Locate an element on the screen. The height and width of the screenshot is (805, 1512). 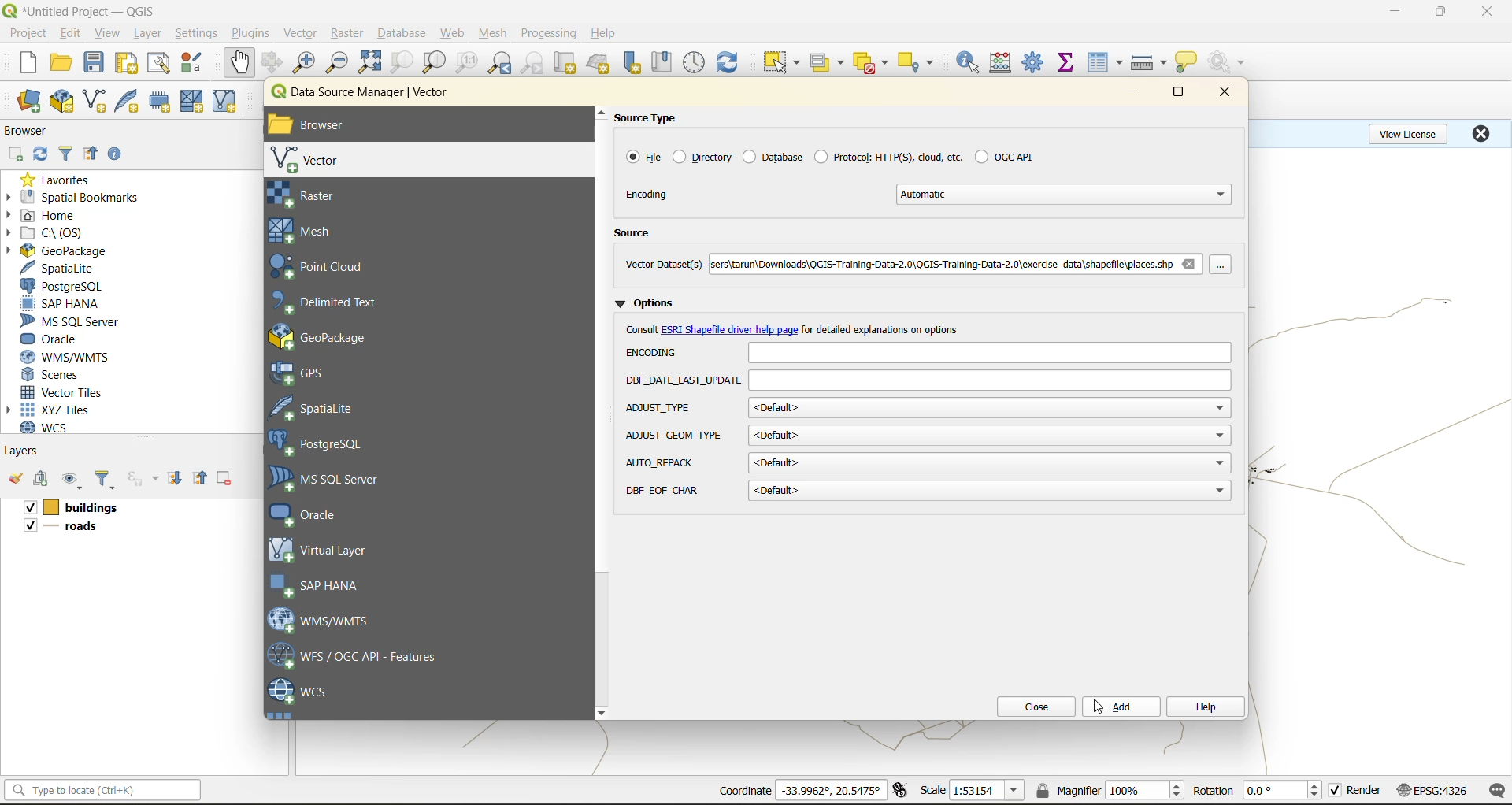
close is located at coordinates (1480, 133).